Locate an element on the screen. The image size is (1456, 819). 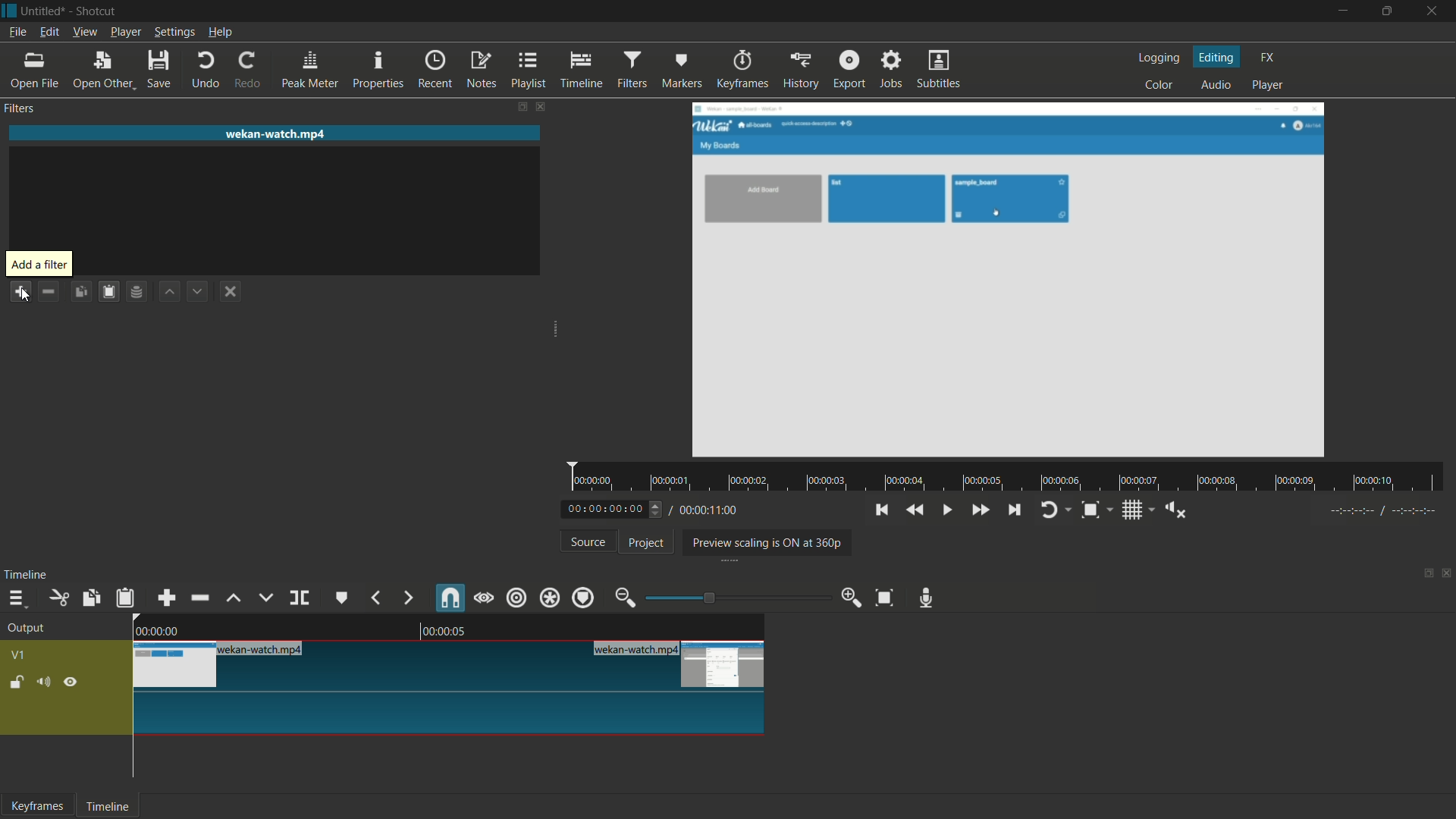
filters is located at coordinates (633, 70).